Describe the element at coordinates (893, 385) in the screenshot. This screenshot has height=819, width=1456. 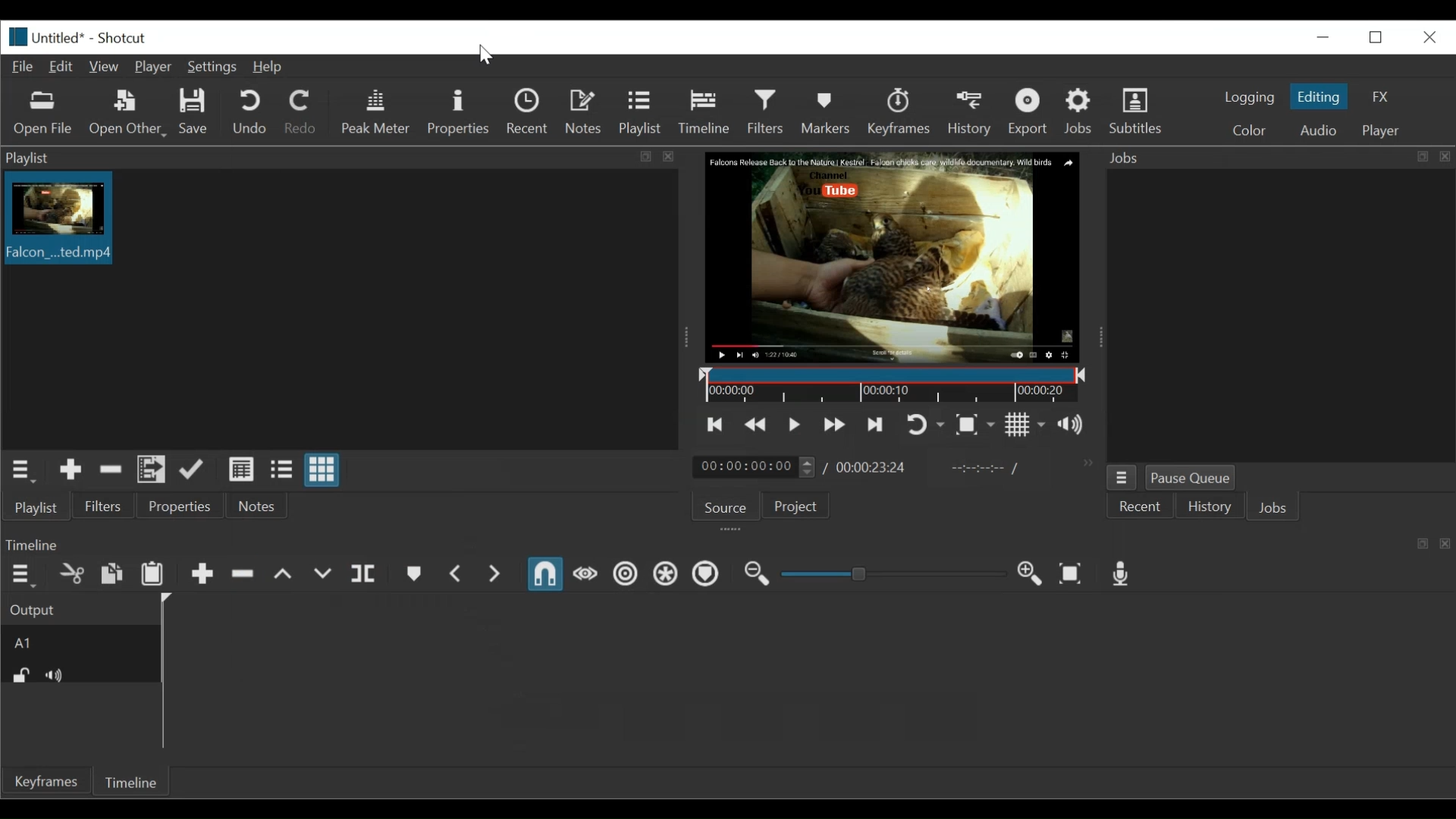
I see `Timeline` at that location.